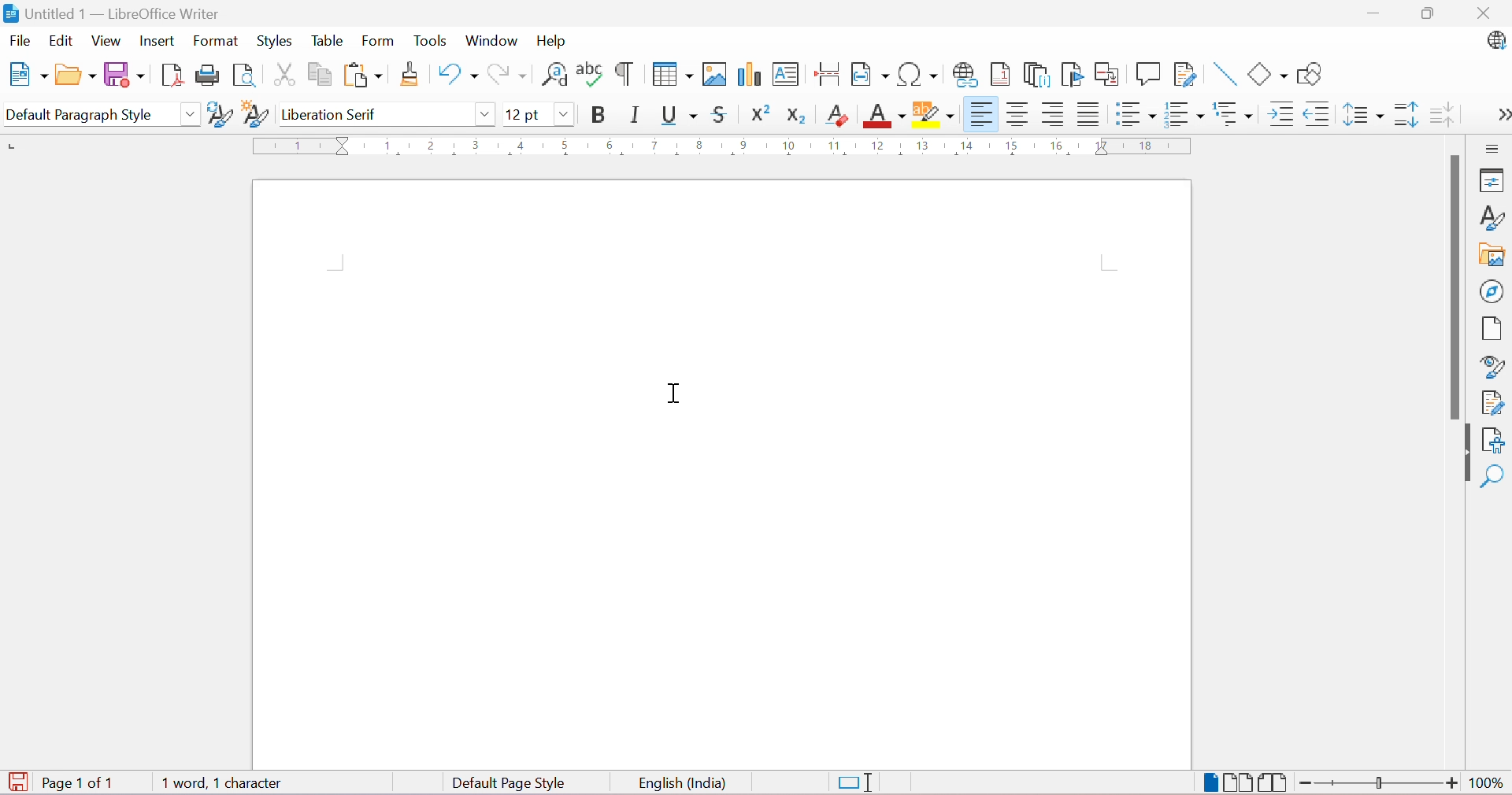 The width and height of the screenshot is (1512, 795). What do you see at coordinates (1275, 782) in the screenshot?
I see `Book View` at bounding box center [1275, 782].